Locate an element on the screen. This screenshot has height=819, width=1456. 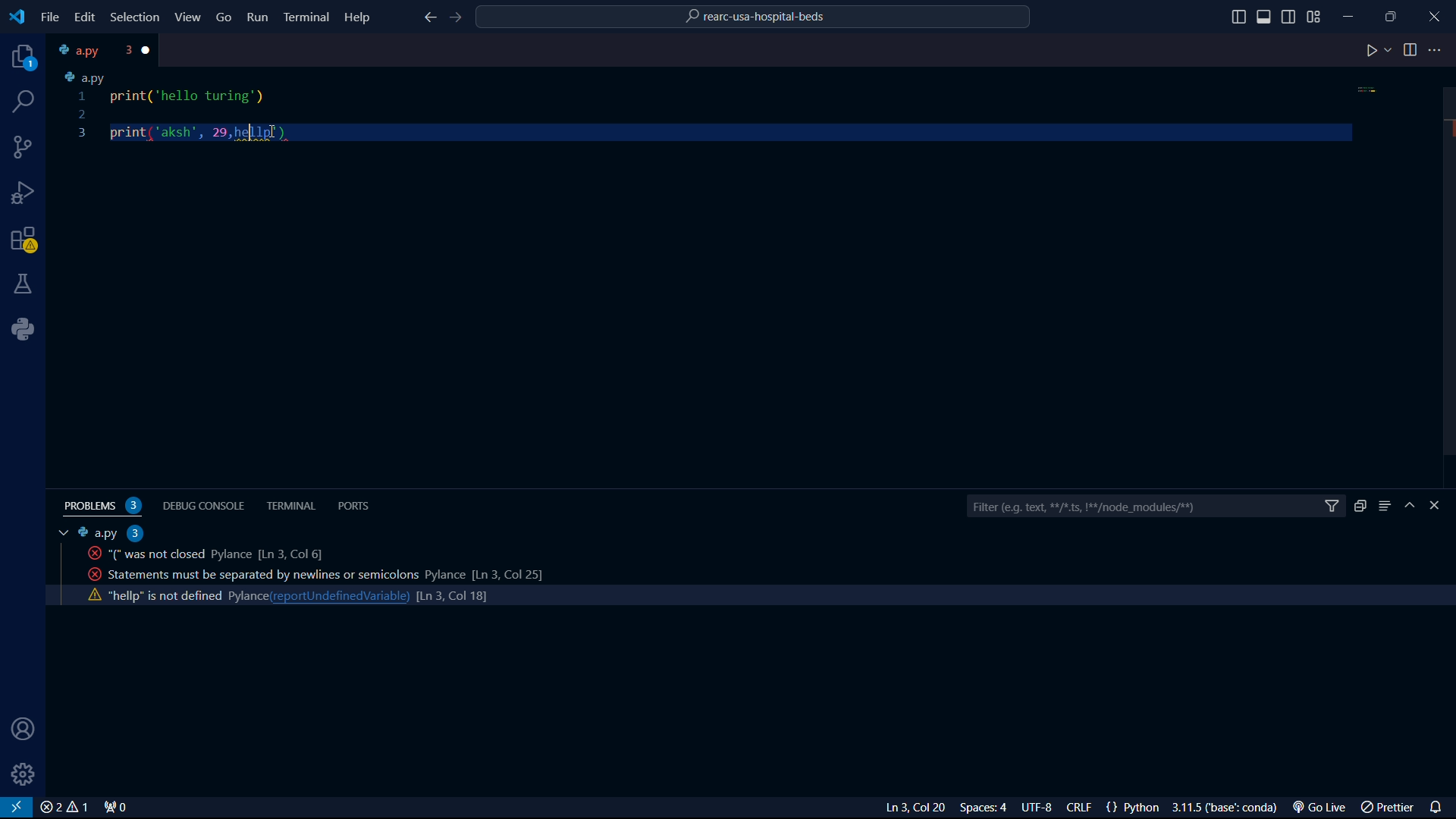
filter bar is located at coordinates (1155, 507).